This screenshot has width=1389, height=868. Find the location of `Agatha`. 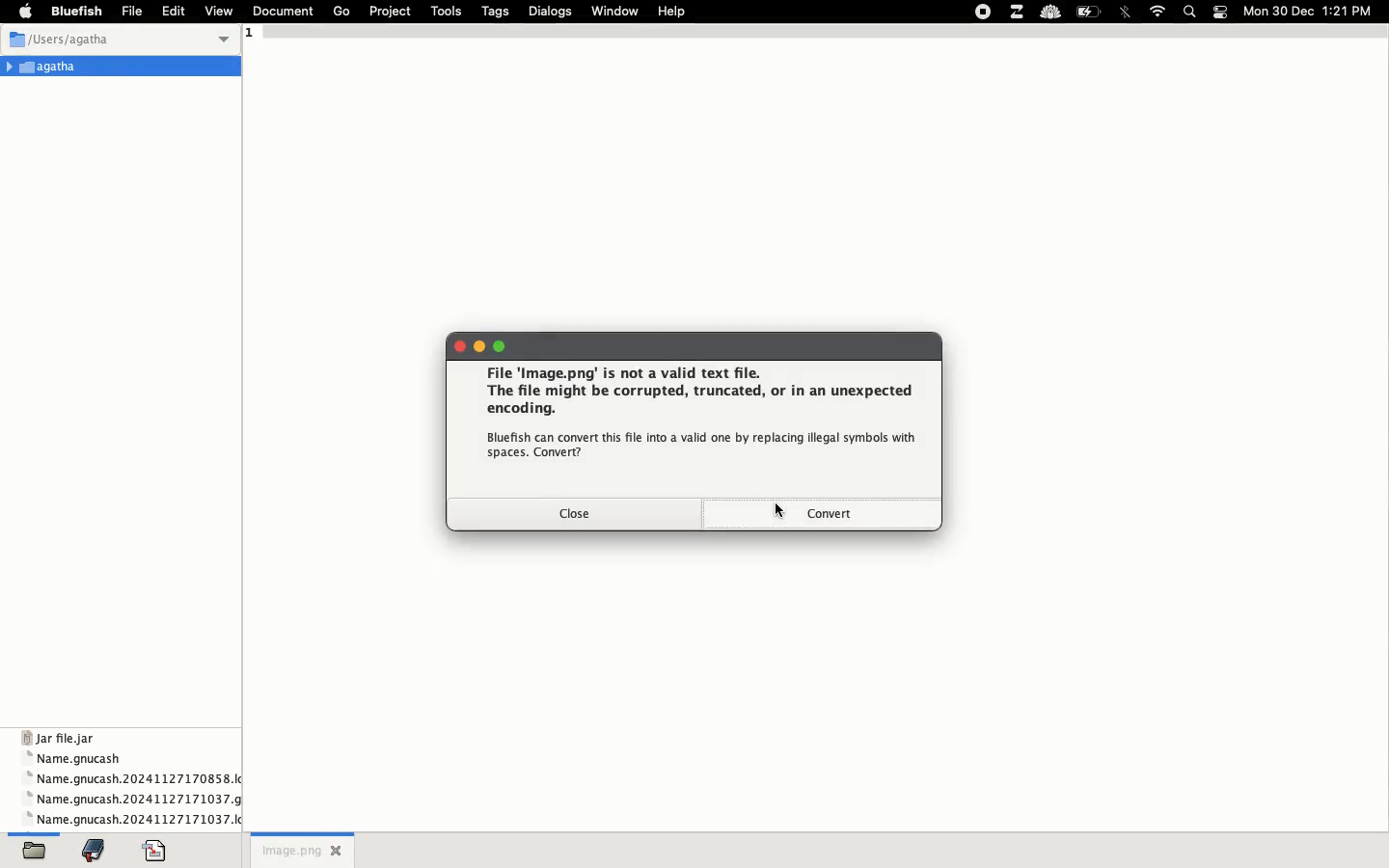

Agatha is located at coordinates (123, 66).